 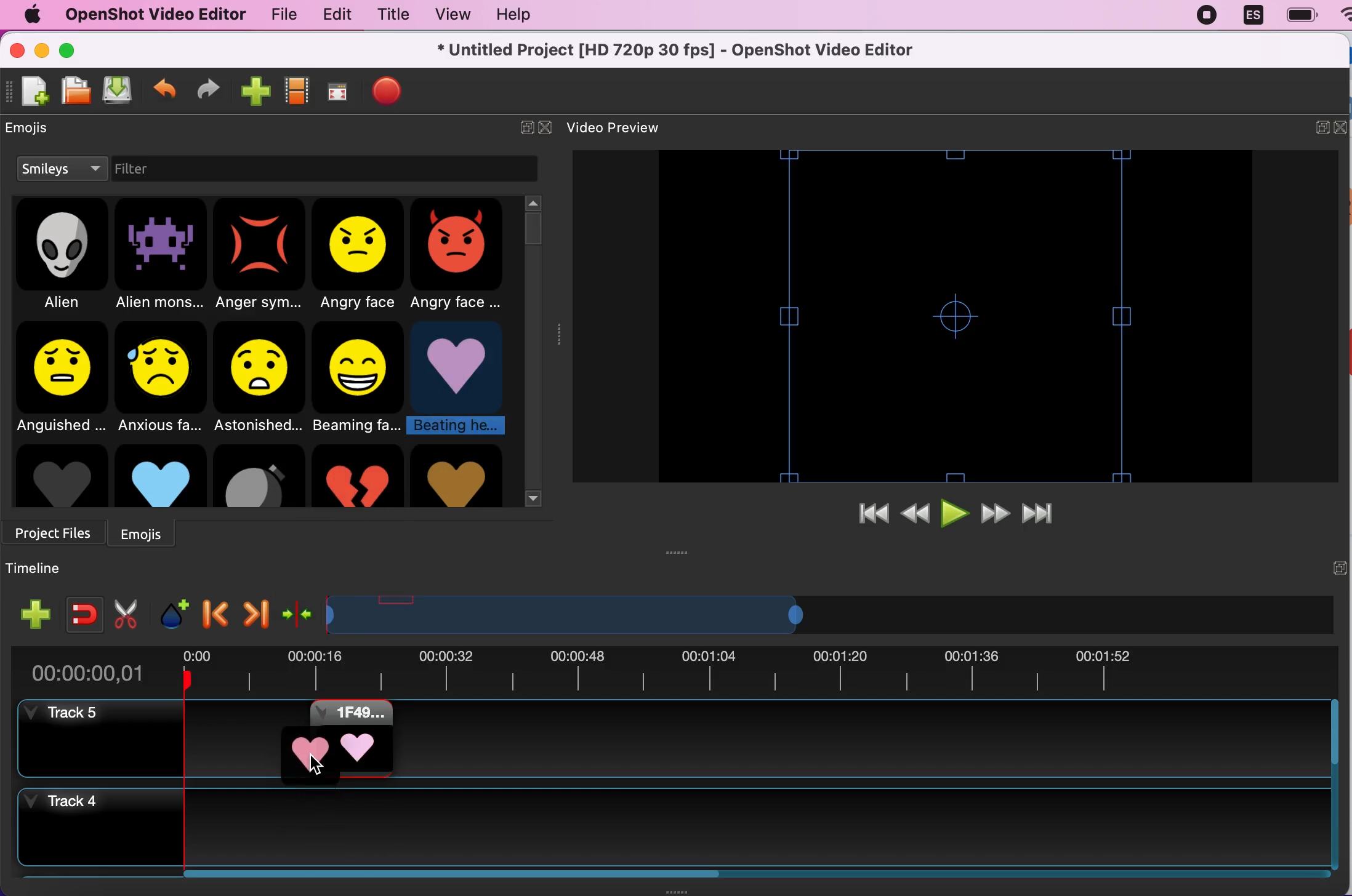 I want to click on alien, so click(x=63, y=257).